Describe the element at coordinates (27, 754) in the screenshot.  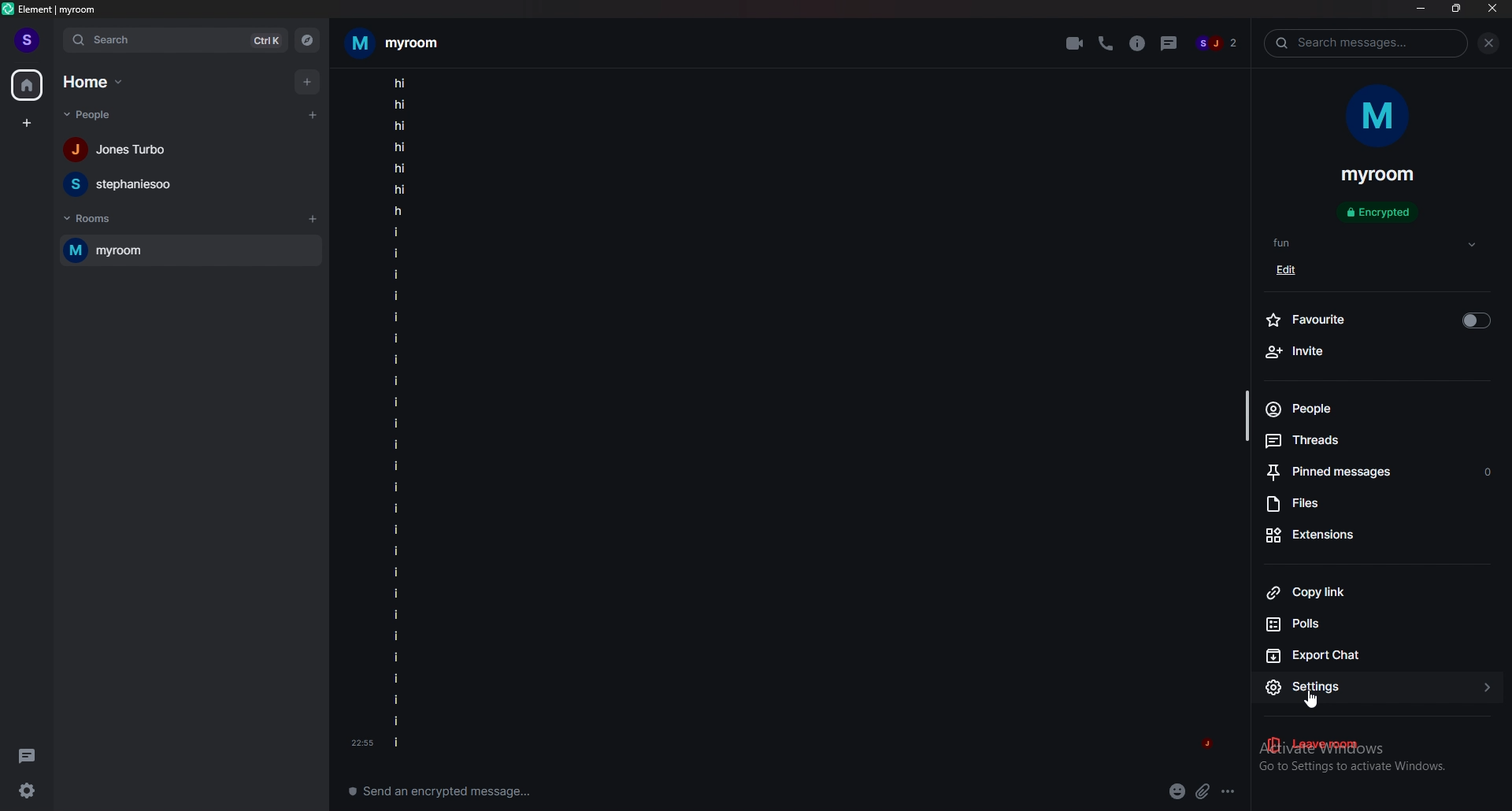
I see `threads` at that location.